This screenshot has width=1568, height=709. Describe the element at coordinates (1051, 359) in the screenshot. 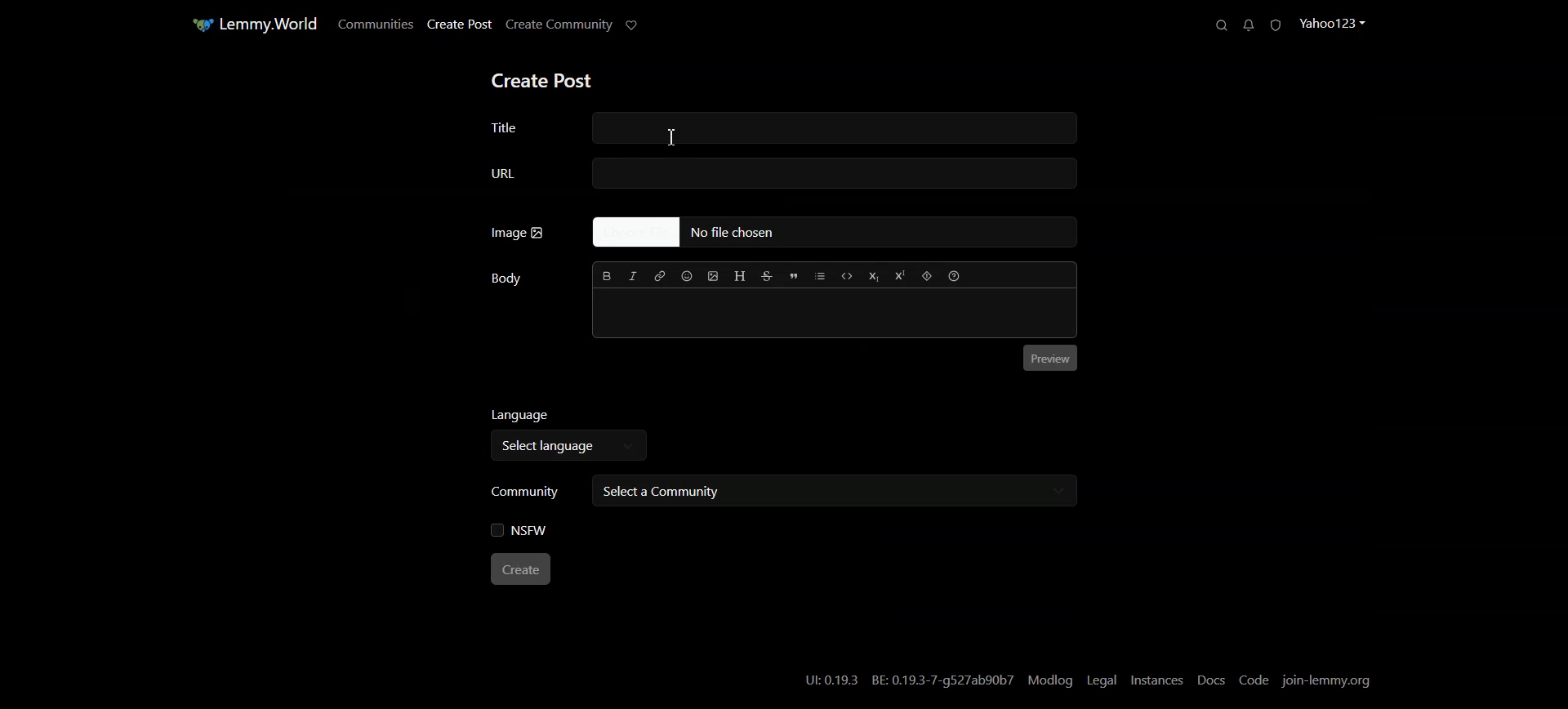

I see `Preview` at that location.